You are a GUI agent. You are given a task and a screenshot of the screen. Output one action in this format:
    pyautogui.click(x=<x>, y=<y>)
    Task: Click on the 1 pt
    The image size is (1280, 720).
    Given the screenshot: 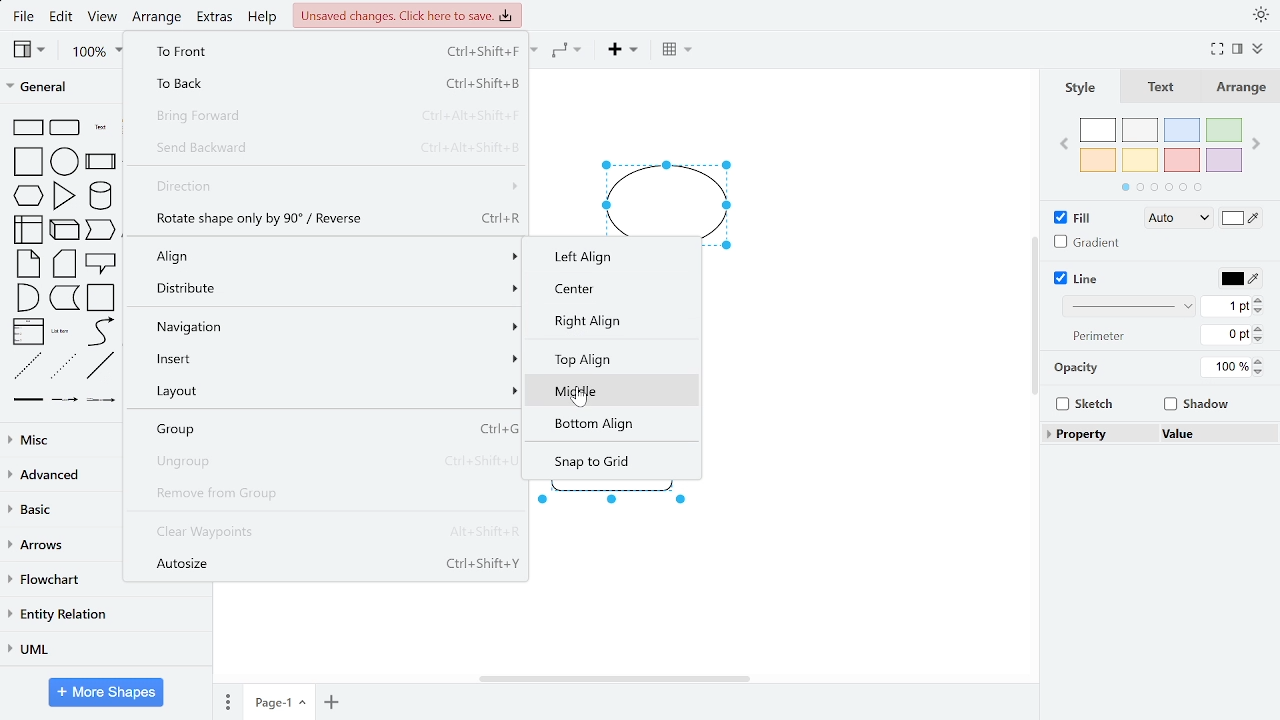 What is the action you would take?
    pyautogui.click(x=1227, y=307)
    